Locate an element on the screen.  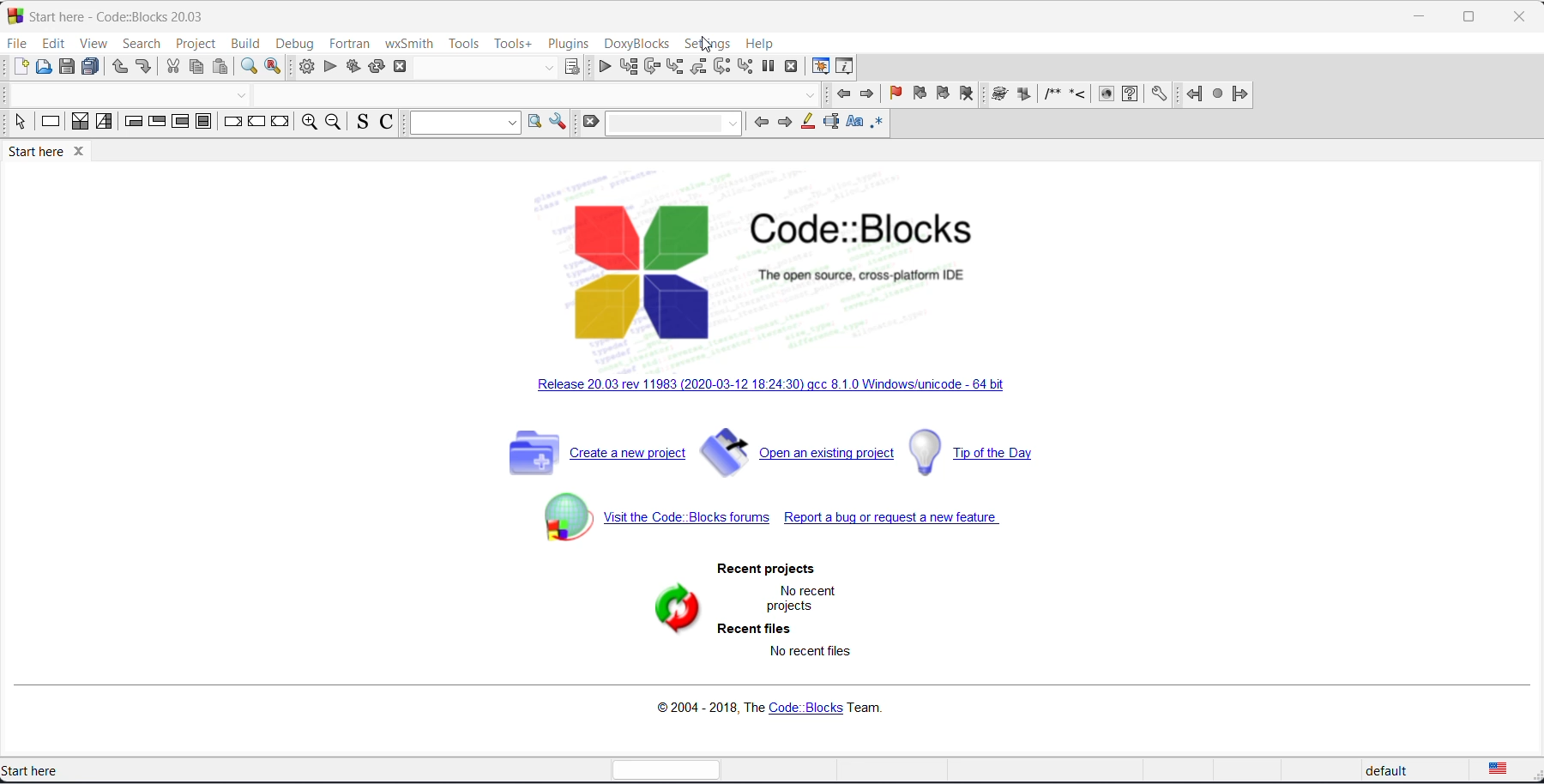
toggle comments is located at coordinates (387, 123).